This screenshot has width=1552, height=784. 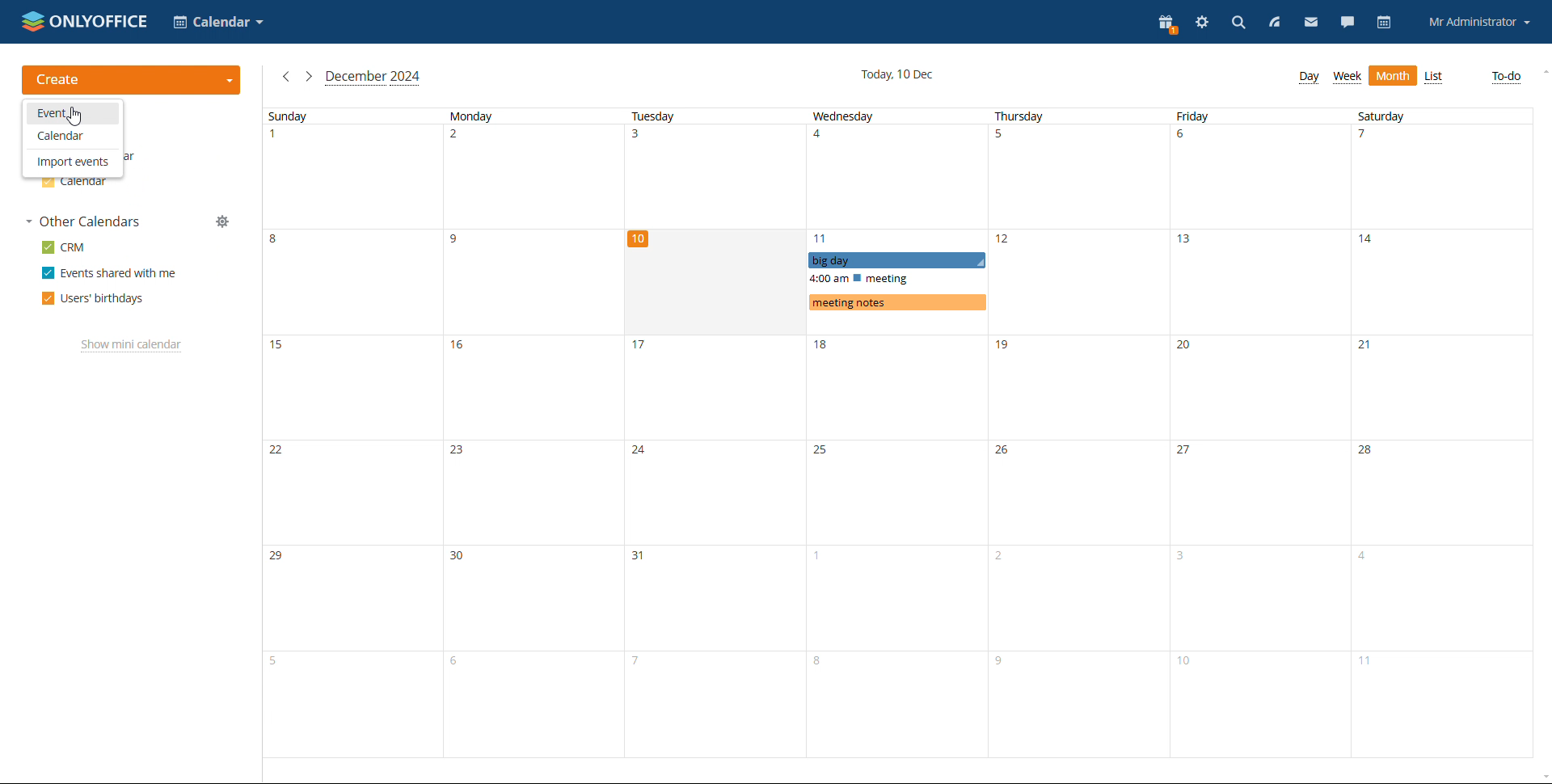 I want to click on onlyoffice logo, so click(x=33, y=23).